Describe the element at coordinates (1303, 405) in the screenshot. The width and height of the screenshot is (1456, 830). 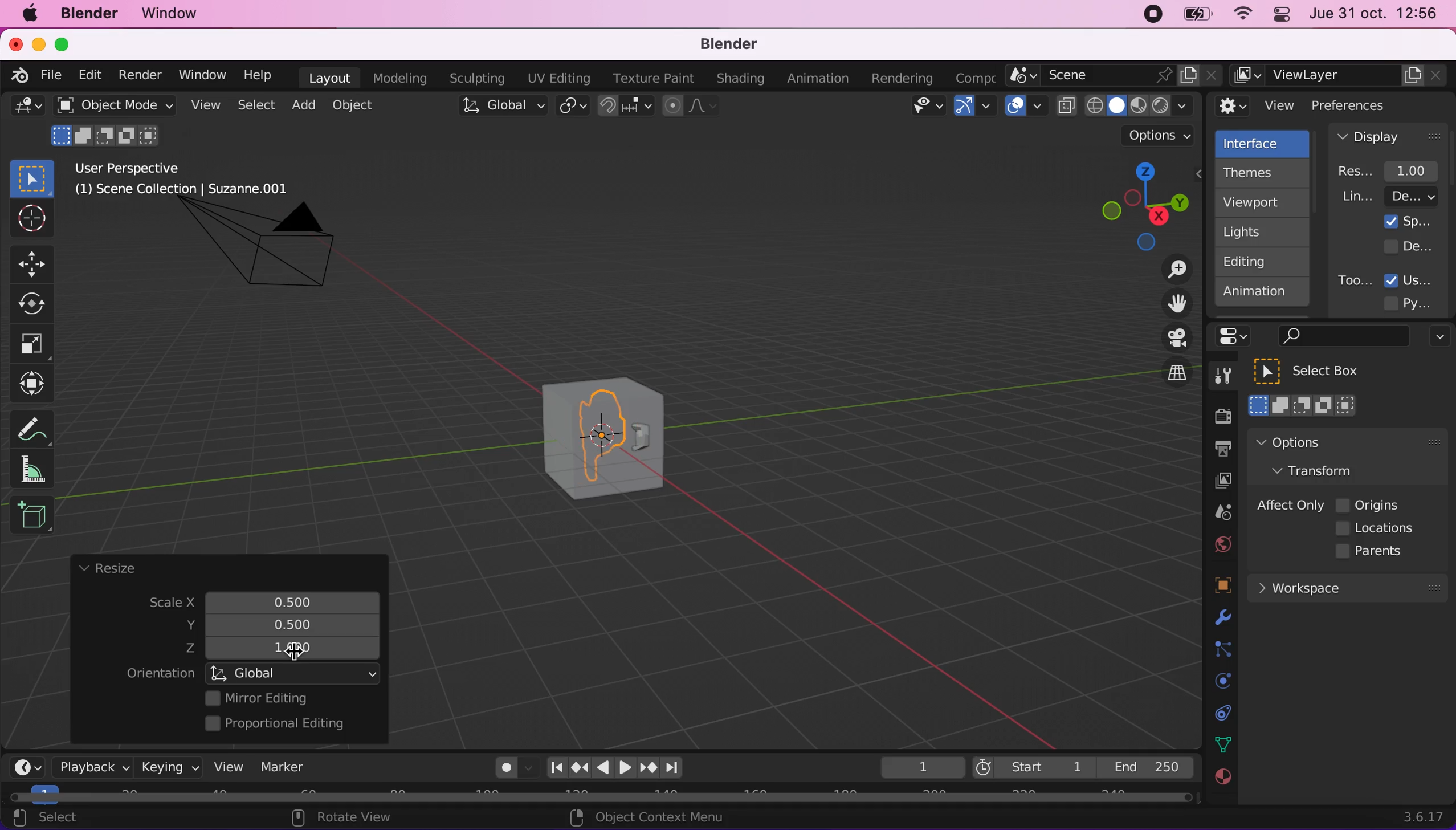
I see `select box mode` at that location.